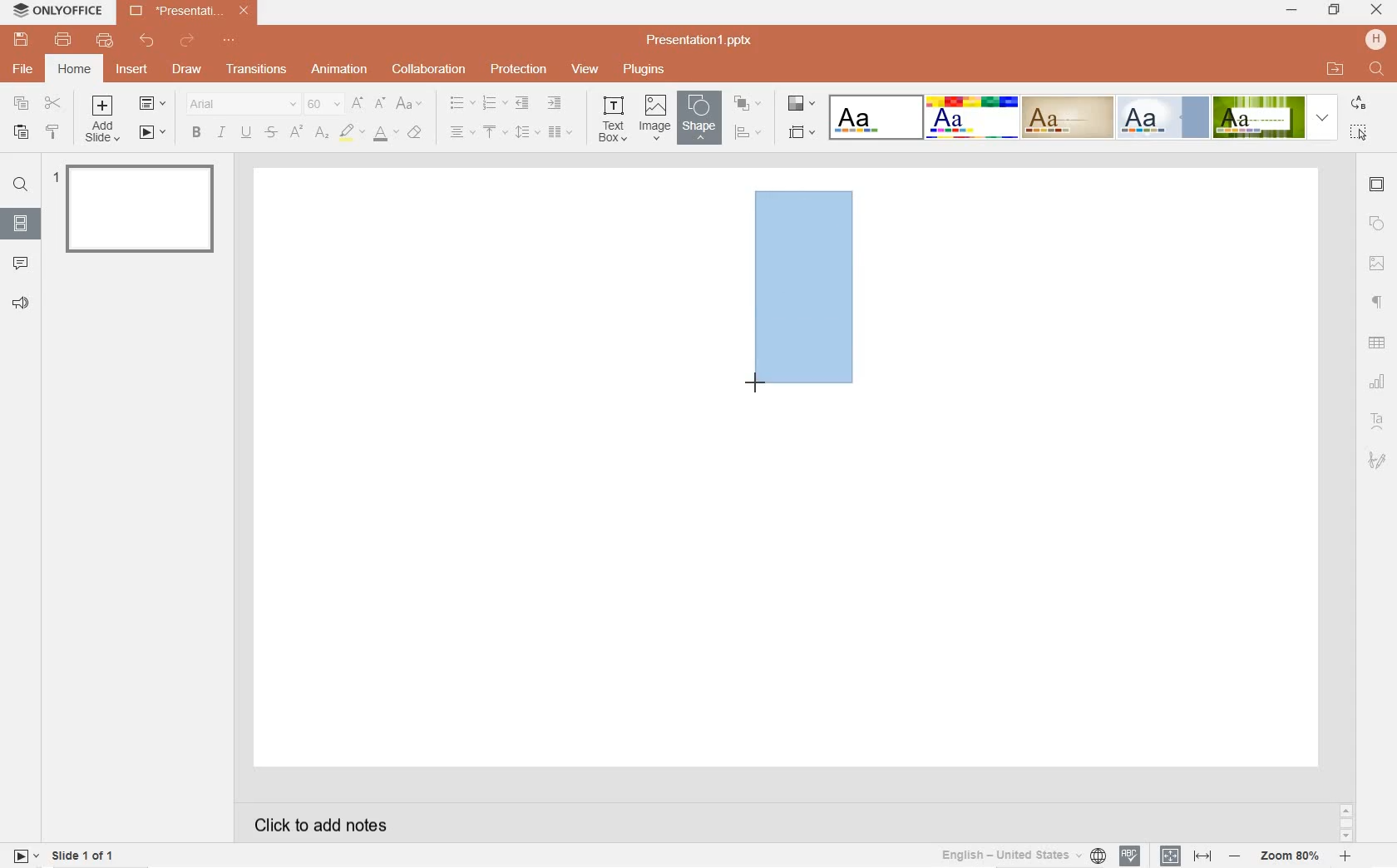  Describe the element at coordinates (654, 118) in the screenshot. I see `image` at that location.